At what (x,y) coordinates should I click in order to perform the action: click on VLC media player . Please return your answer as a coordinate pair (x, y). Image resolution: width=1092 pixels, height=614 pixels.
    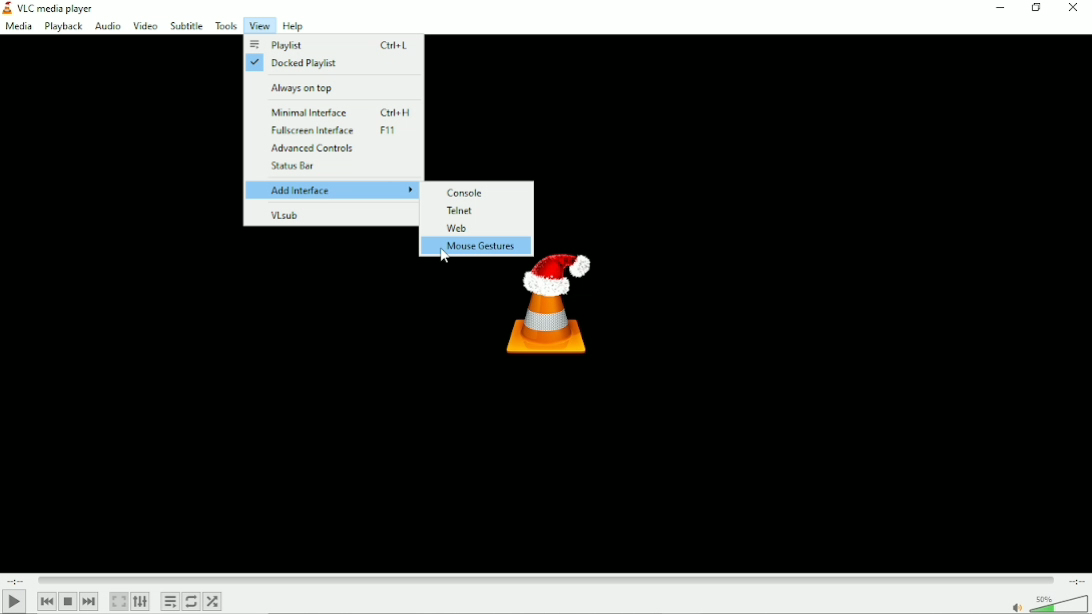
    Looking at the image, I should click on (58, 8).